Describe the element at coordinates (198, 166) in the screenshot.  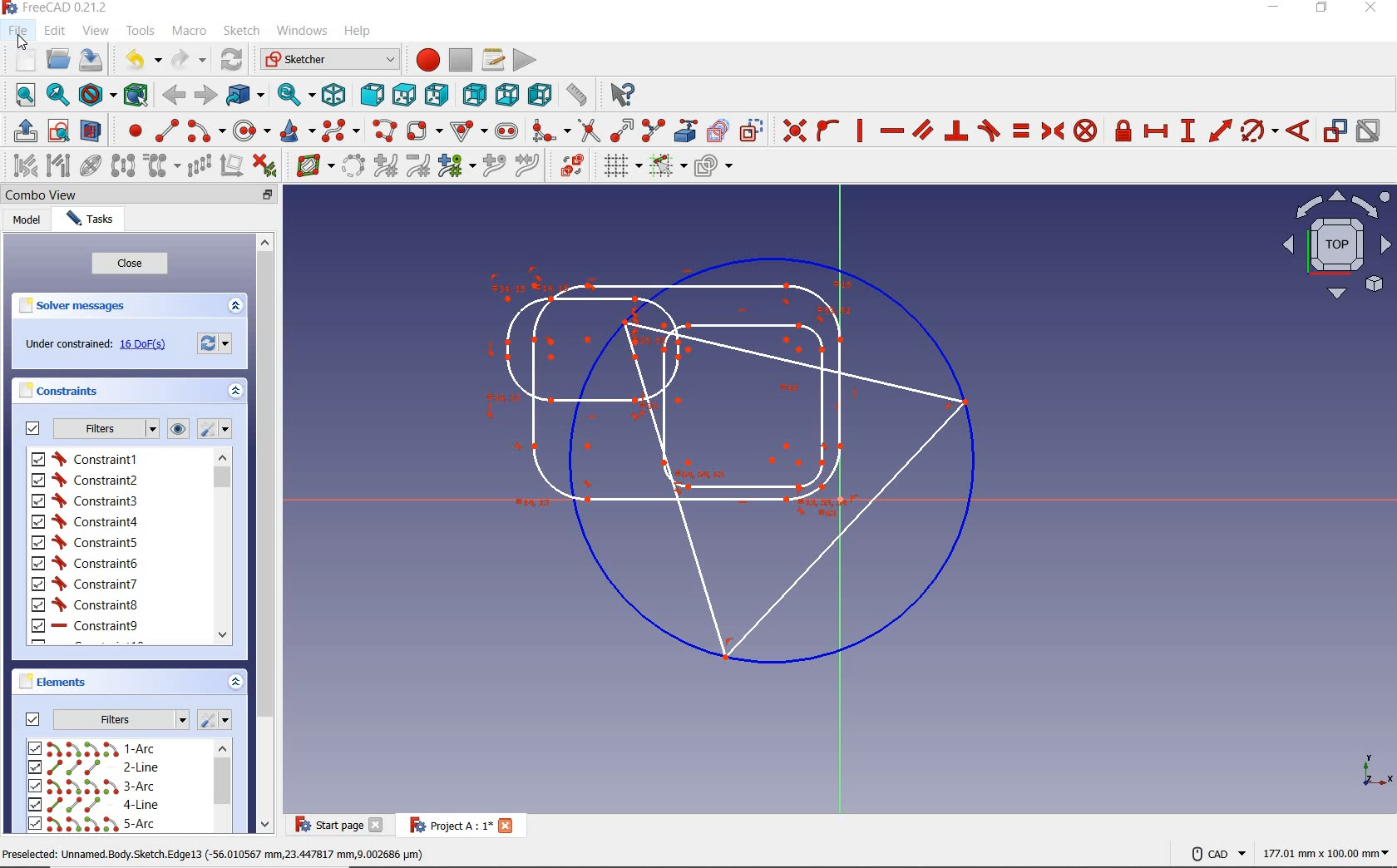
I see `rectangular array` at that location.